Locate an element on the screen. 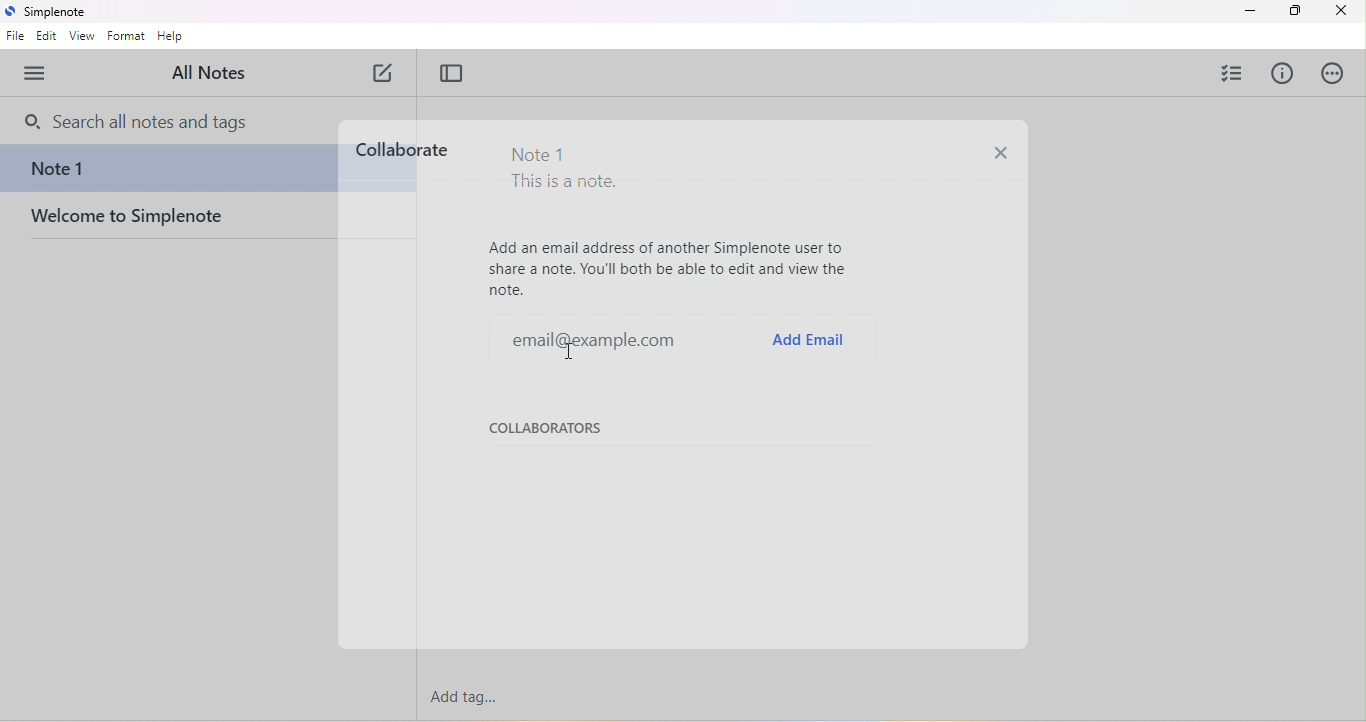  add tag is located at coordinates (465, 697).